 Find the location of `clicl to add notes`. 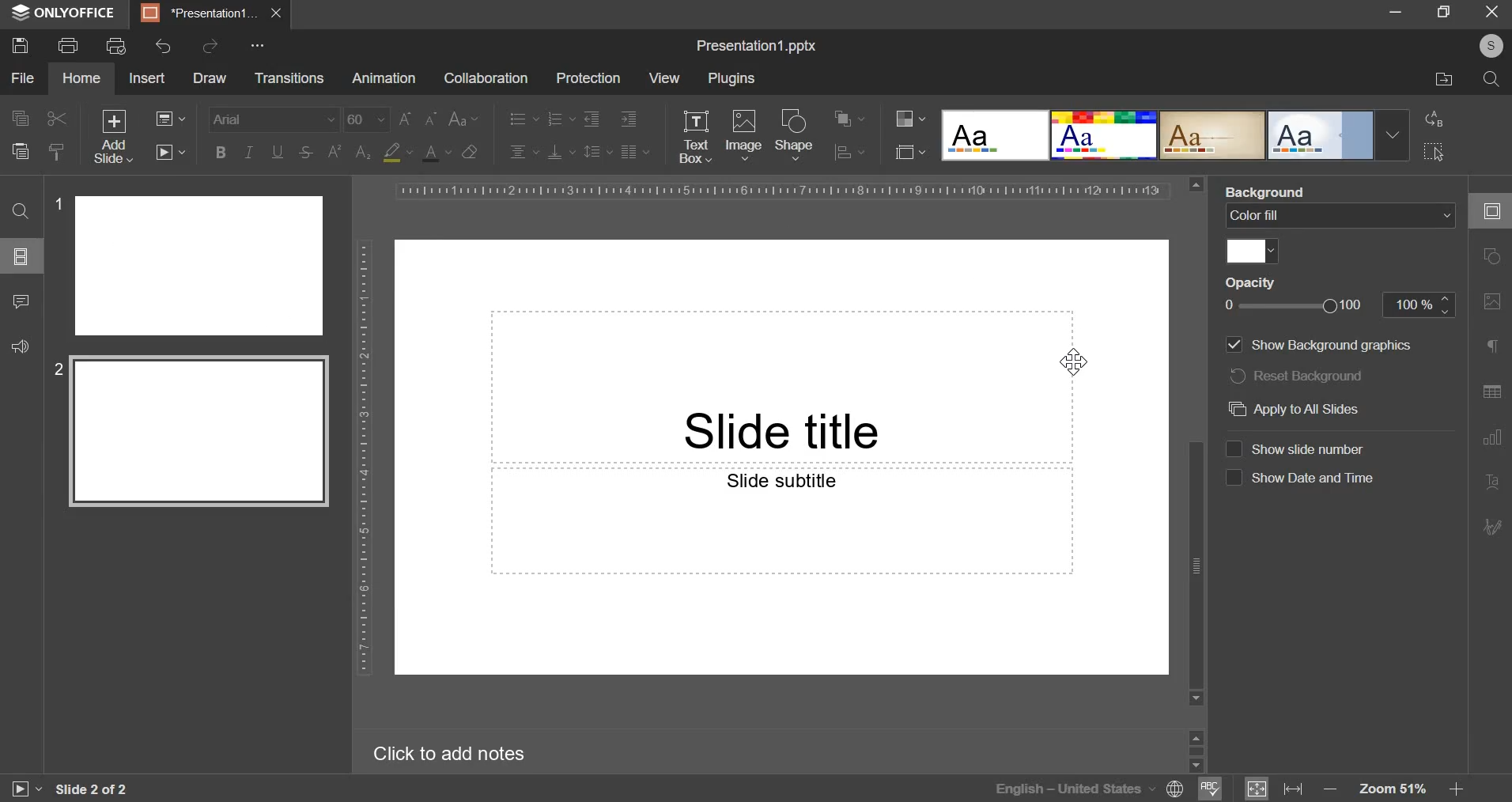

clicl to add notes is located at coordinates (460, 753).